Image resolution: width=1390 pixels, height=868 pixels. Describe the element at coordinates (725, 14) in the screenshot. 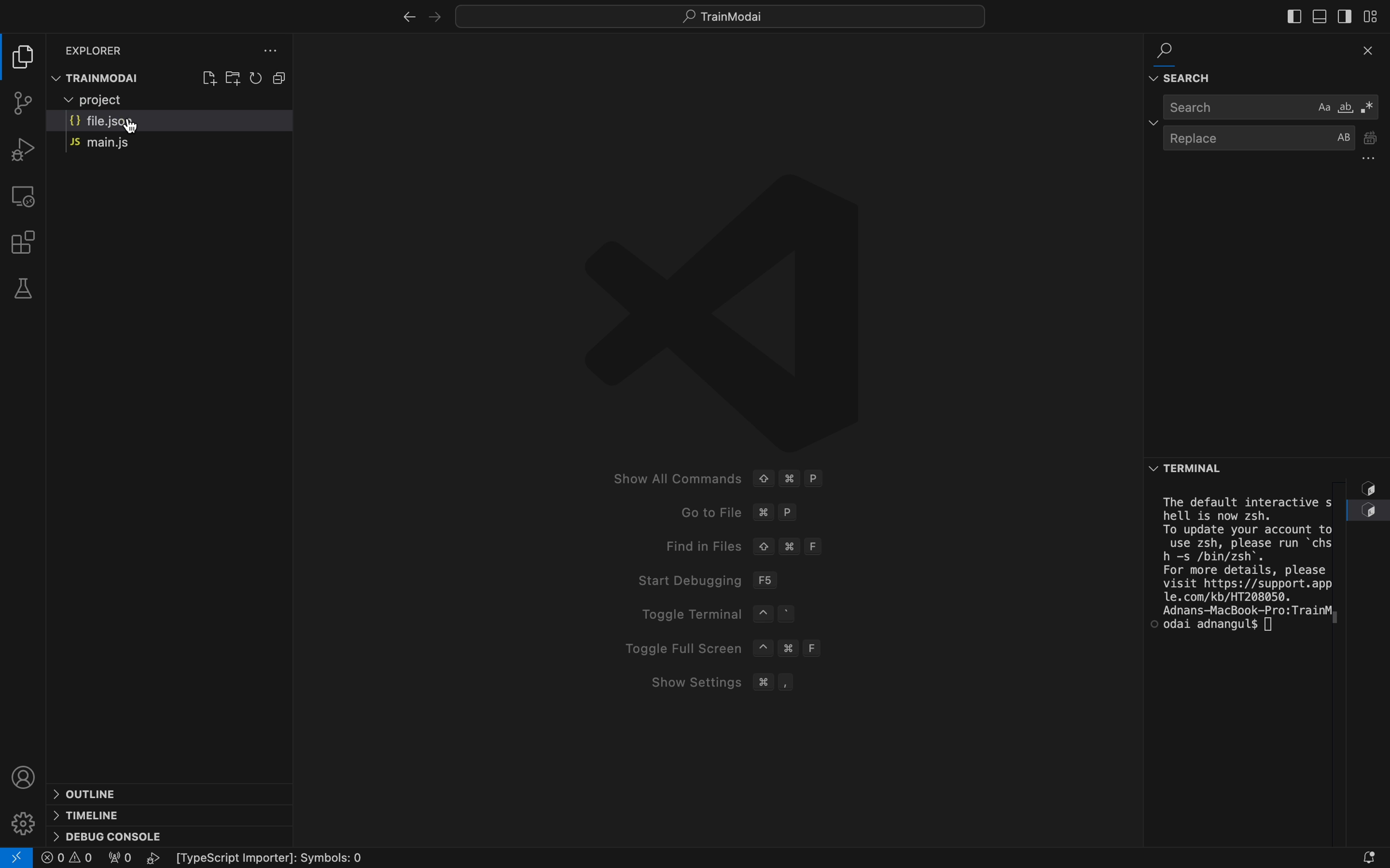

I see `quick menu` at that location.